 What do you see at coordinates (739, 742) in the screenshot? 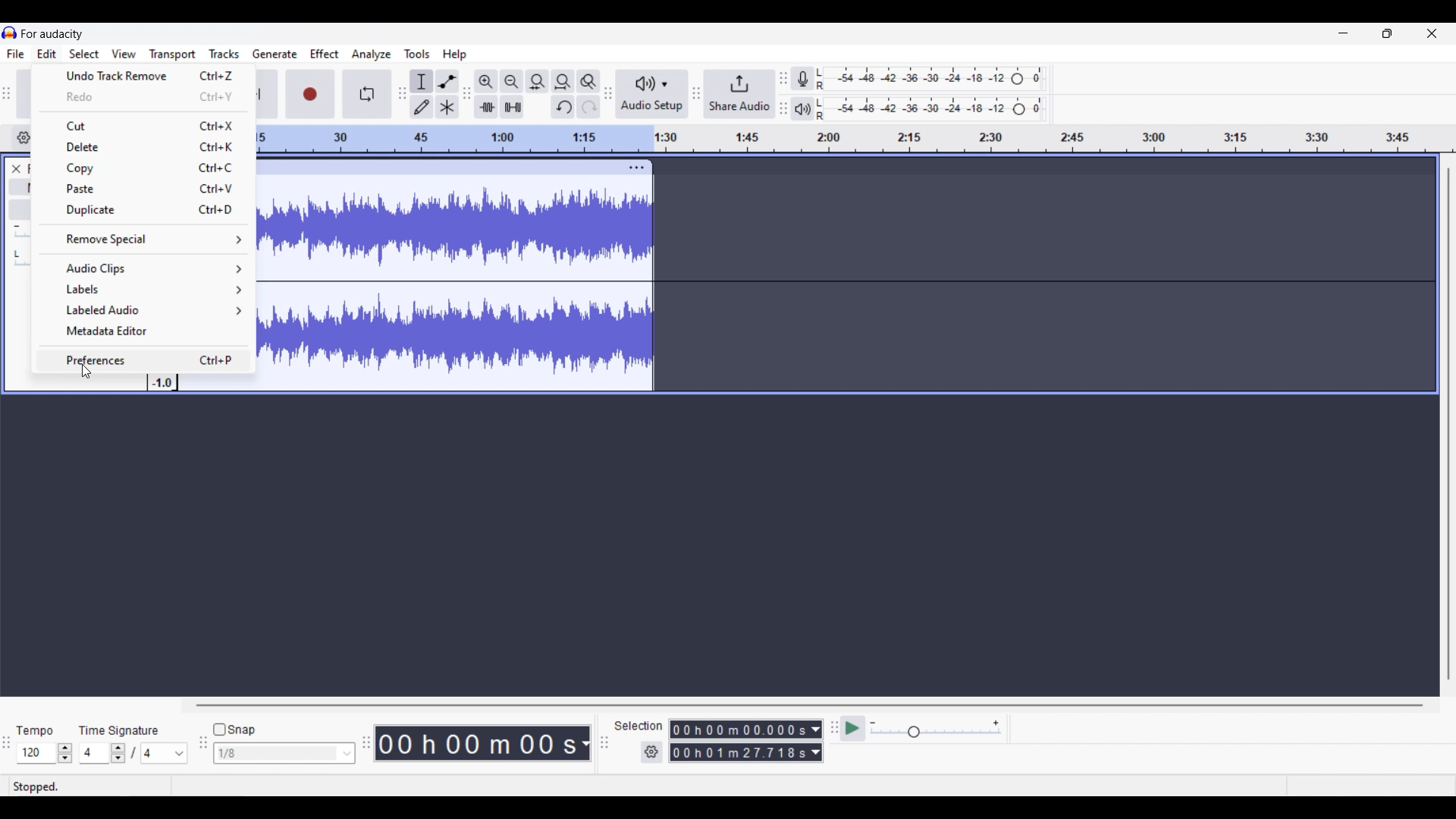
I see `Selection duration` at bounding box center [739, 742].